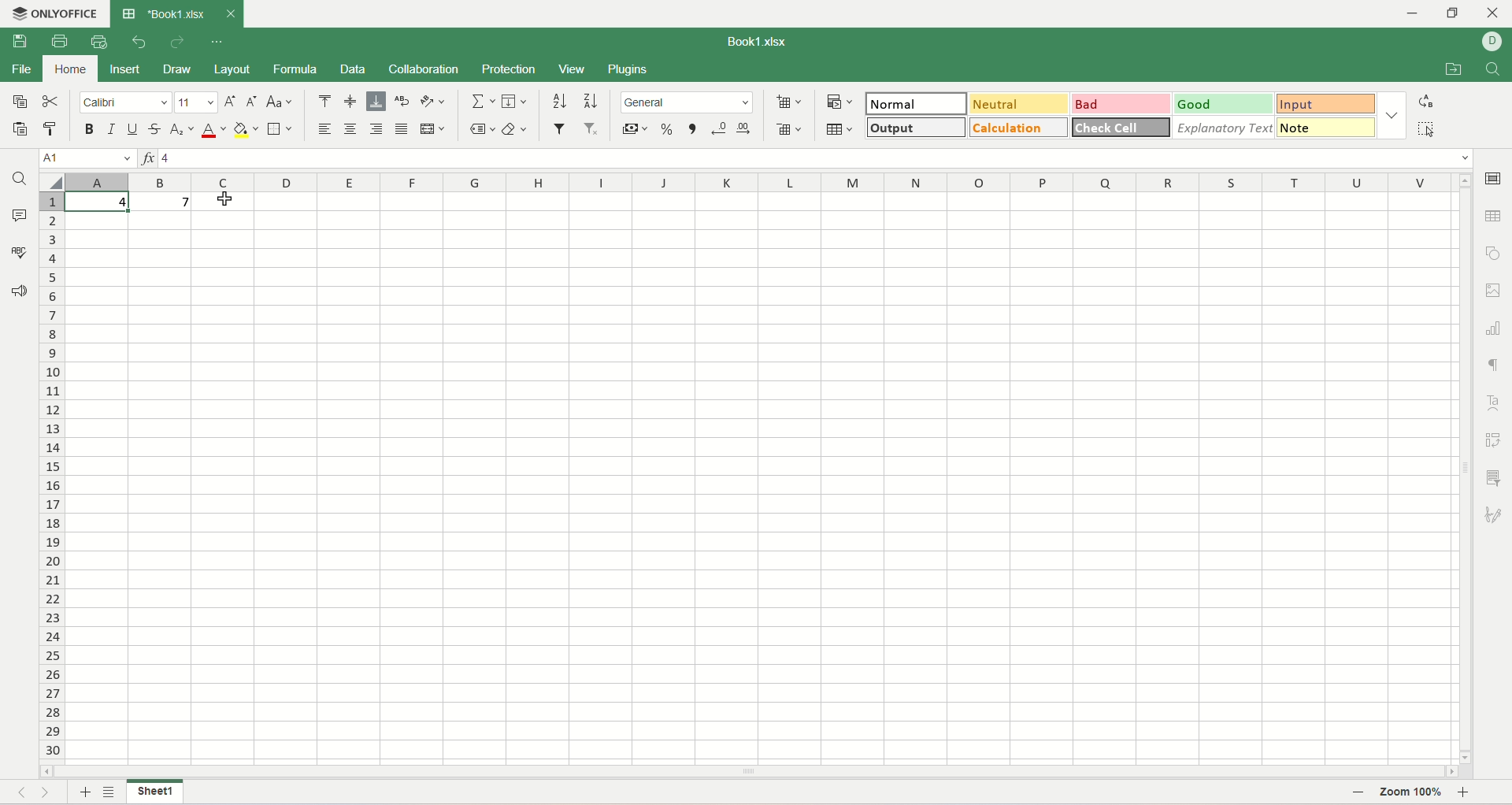  Describe the element at coordinates (228, 199) in the screenshot. I see `cursor` at that location.